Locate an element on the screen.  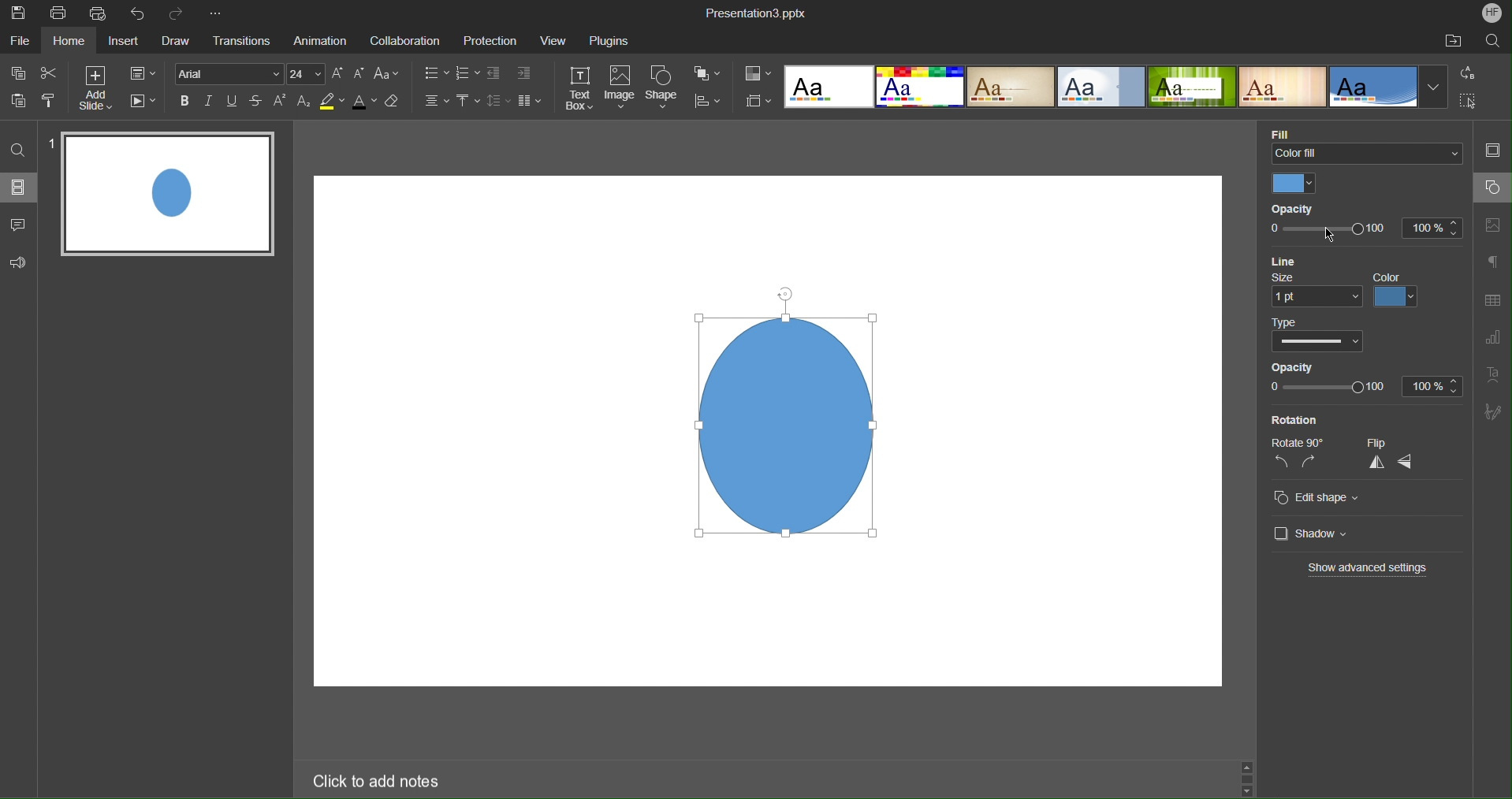
Type is located at coordinates (1315, 336).